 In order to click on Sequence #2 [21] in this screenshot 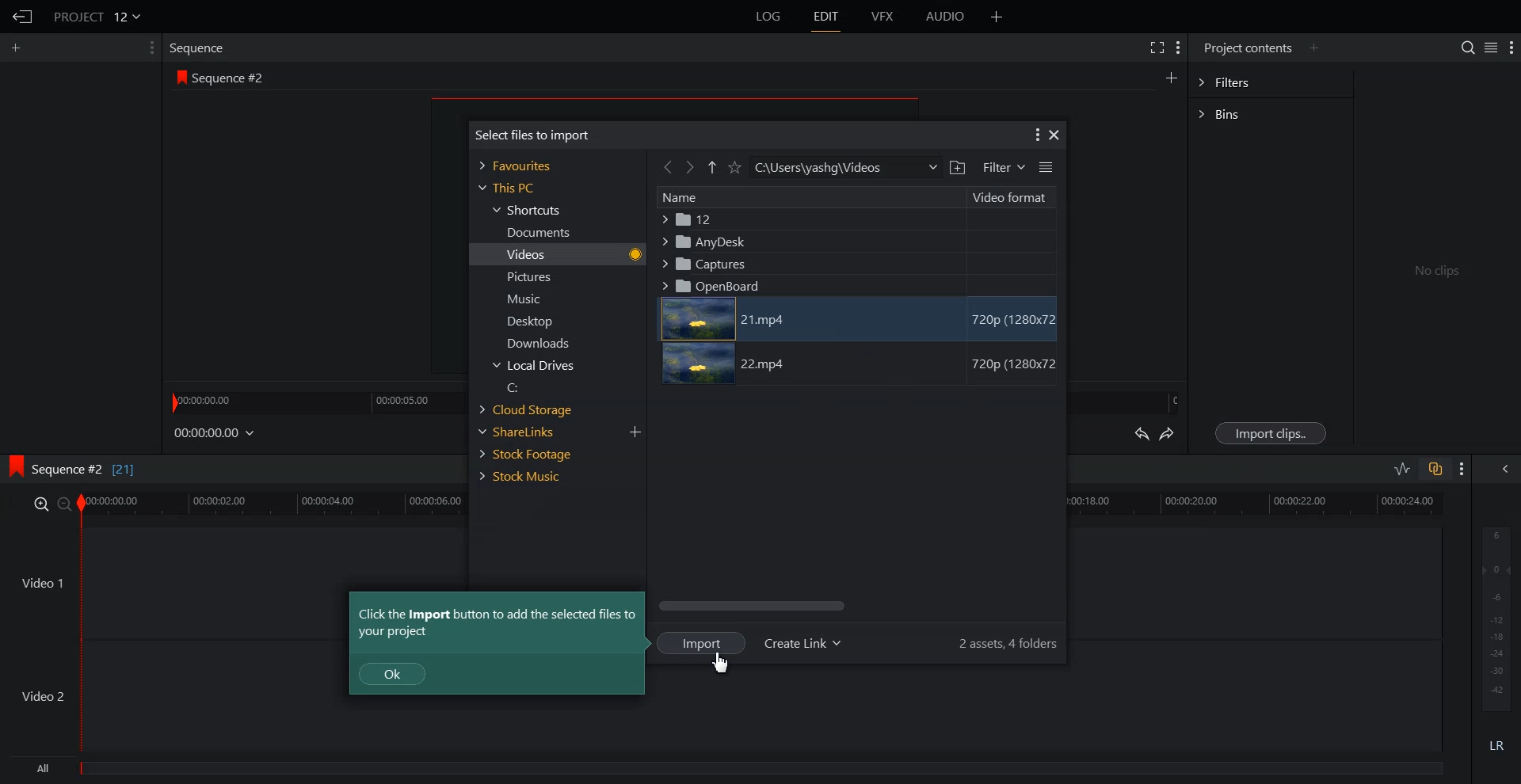, I will do `click(88, 469)`.